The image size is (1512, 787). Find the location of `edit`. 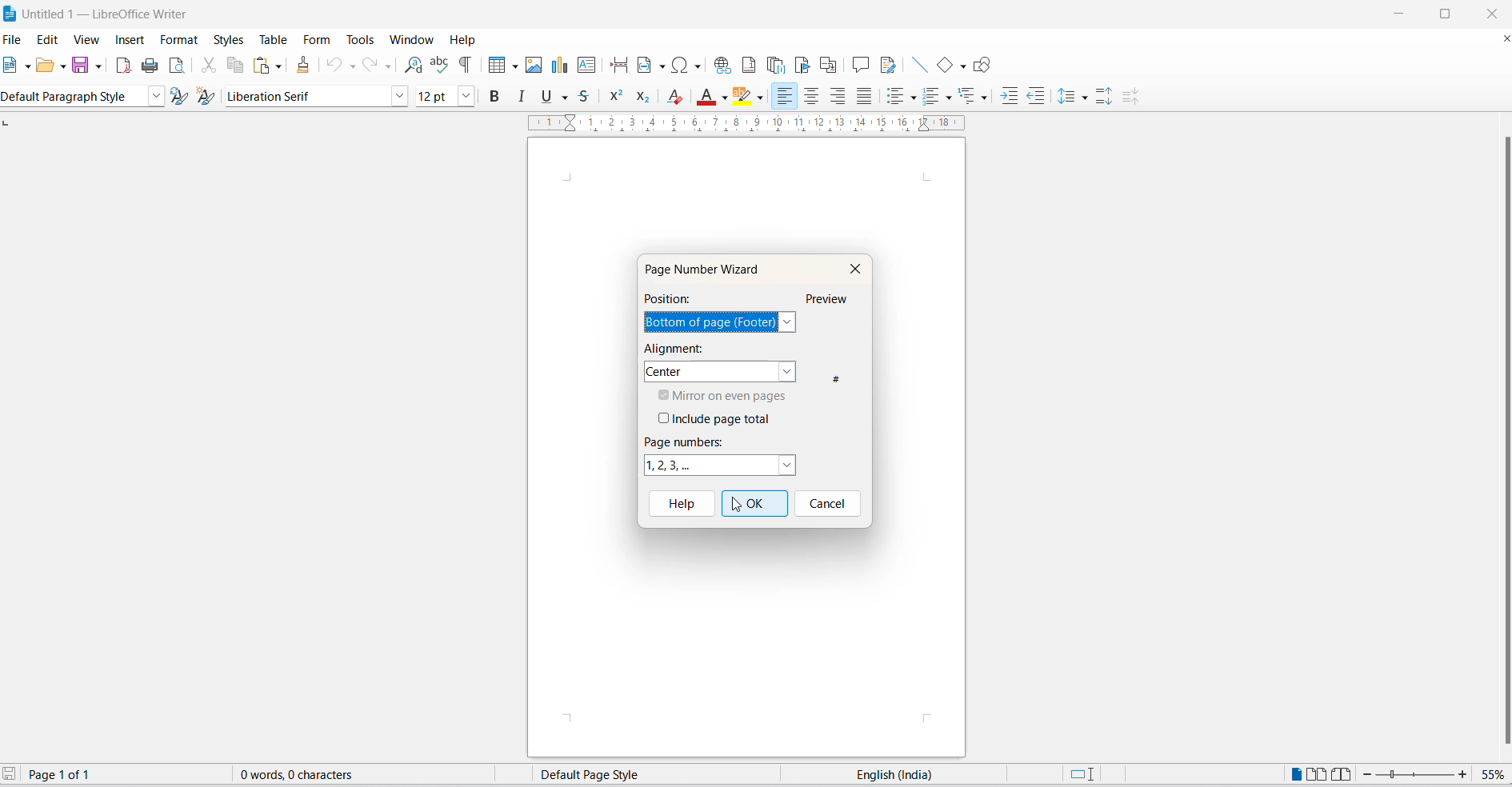

edit is located at coordinates (50, 38).